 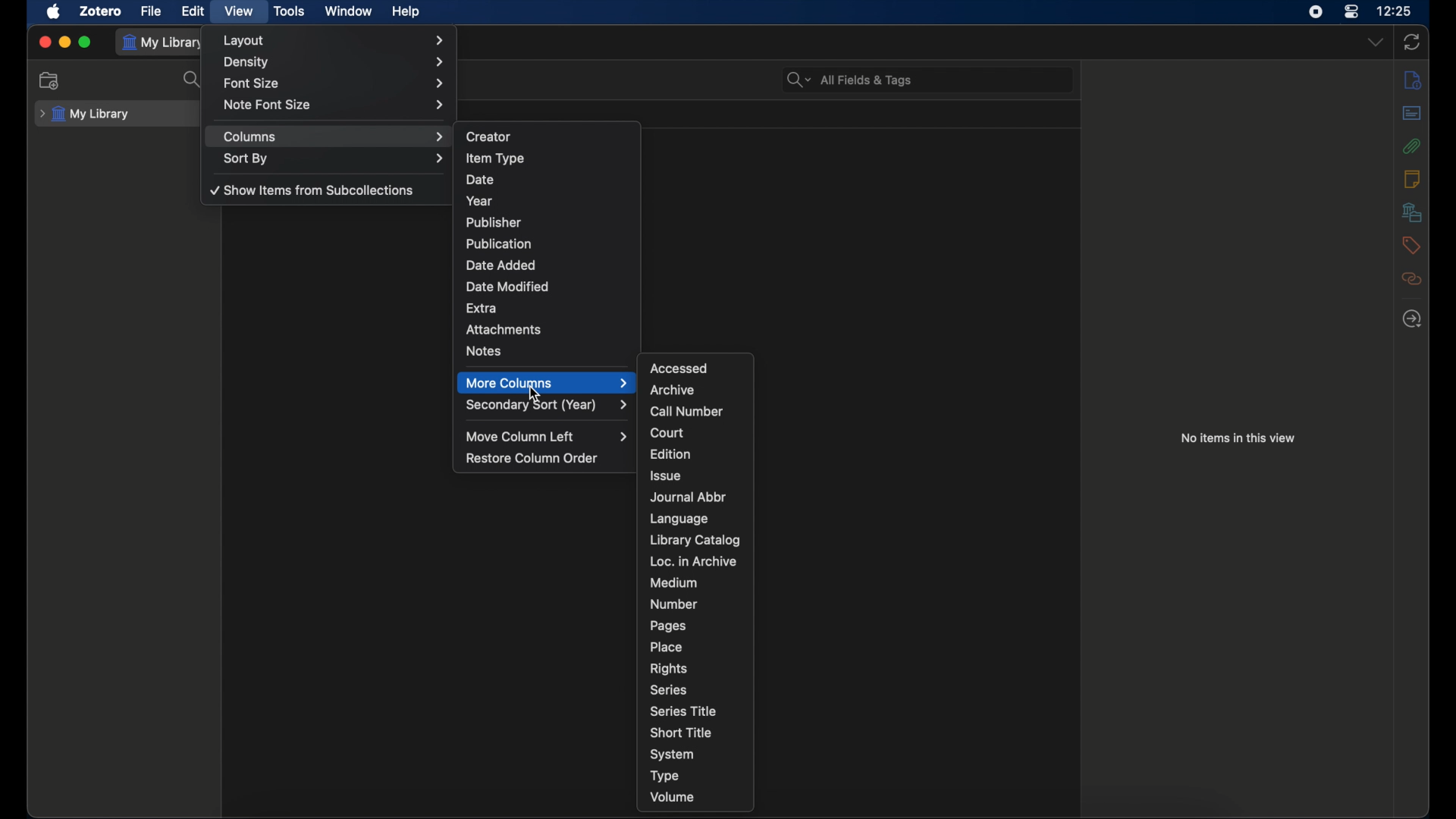 What do you see at coordinates (1412, 42) in the screenshot?
I see `sync` at bounding box center [1412, 42].